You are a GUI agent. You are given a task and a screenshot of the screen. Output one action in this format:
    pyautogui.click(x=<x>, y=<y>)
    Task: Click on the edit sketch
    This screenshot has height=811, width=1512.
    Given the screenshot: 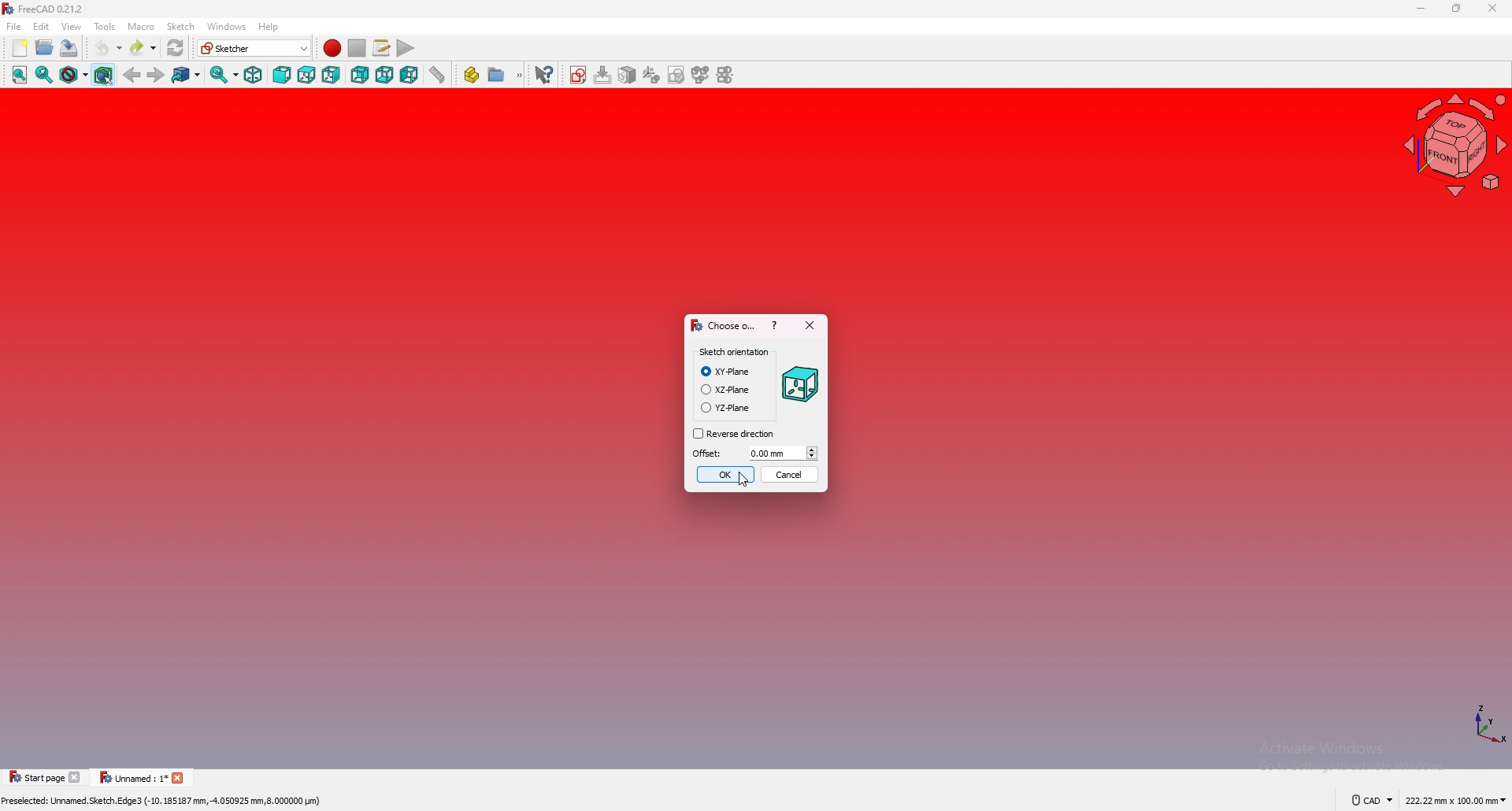 What is the action you would take?
    pyautogui.click(x=606, y=73)
    